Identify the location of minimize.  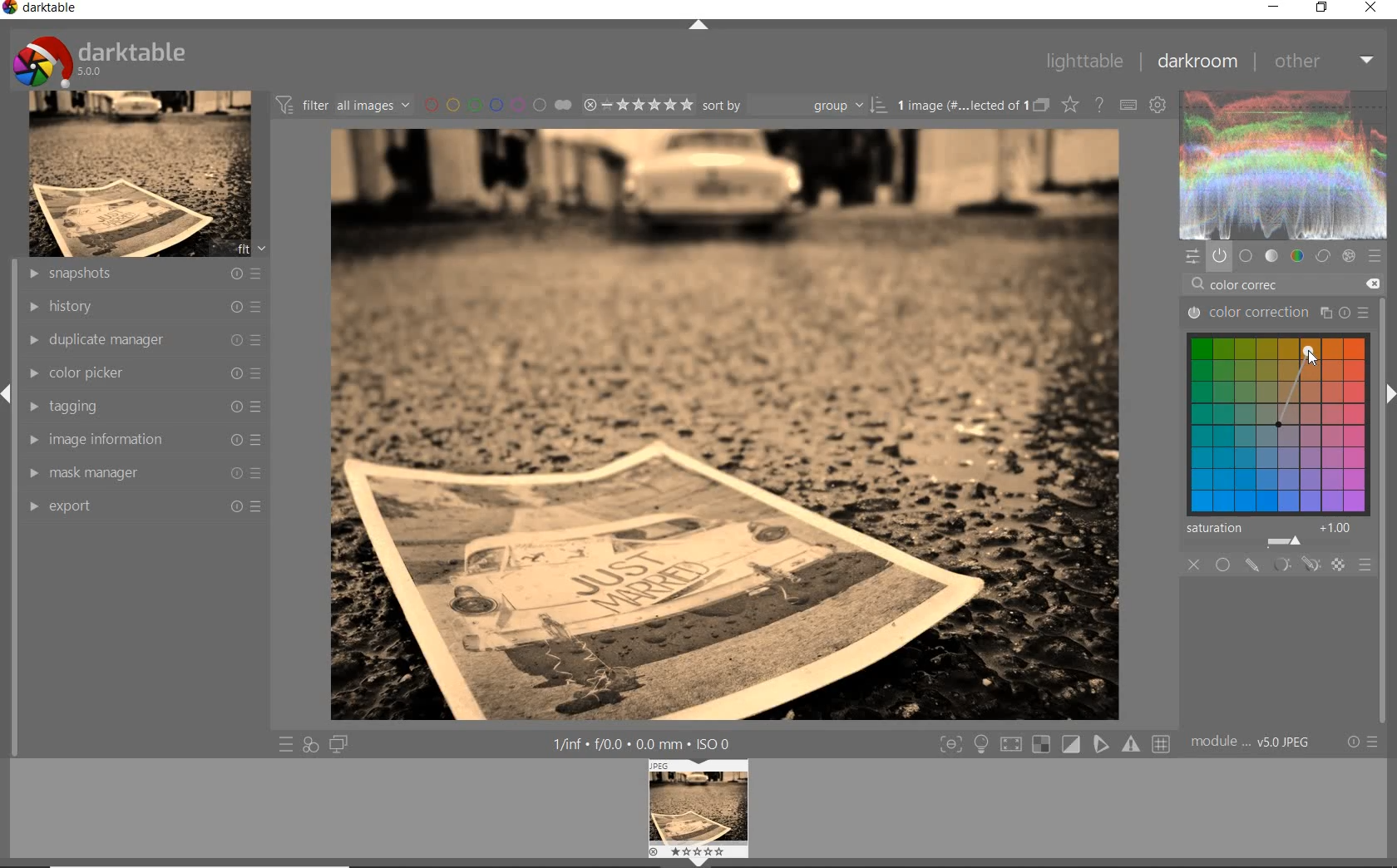
(1274, 6).